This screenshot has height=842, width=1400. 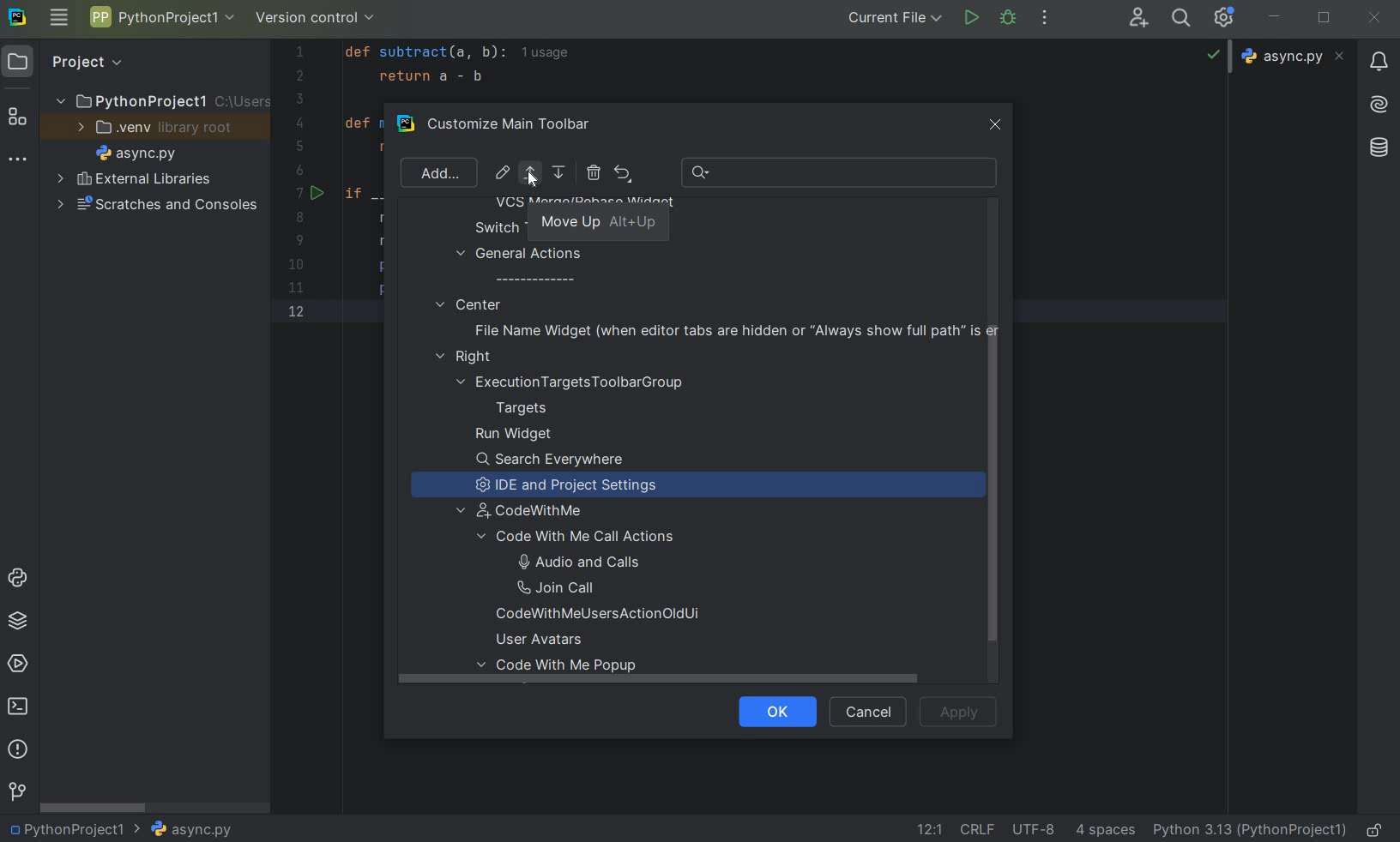 I want to click on SCRATCHES AND CONSOLES, so click(x=158, y=205).